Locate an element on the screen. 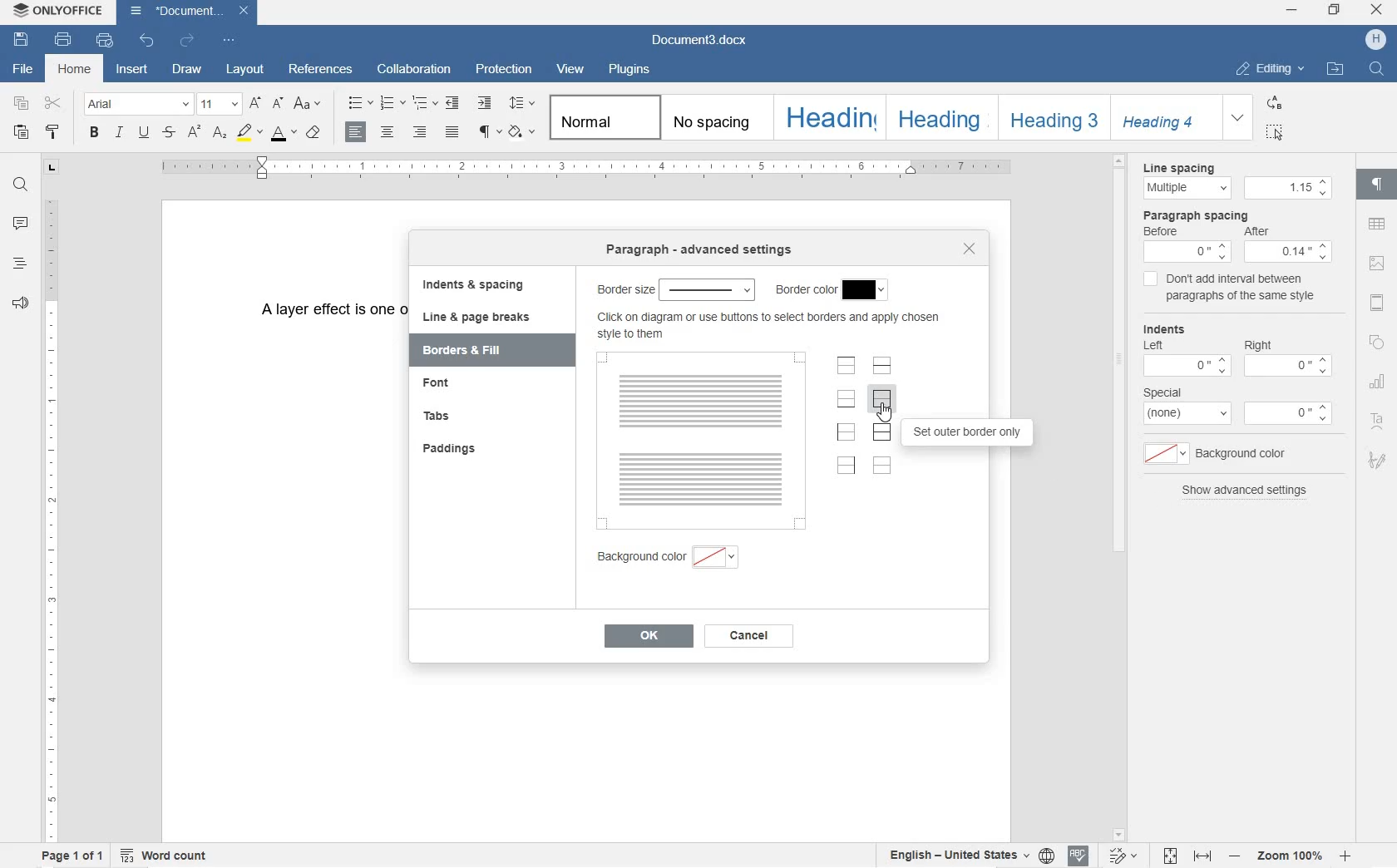  COMMENTS is located at coordinates (18, 224).